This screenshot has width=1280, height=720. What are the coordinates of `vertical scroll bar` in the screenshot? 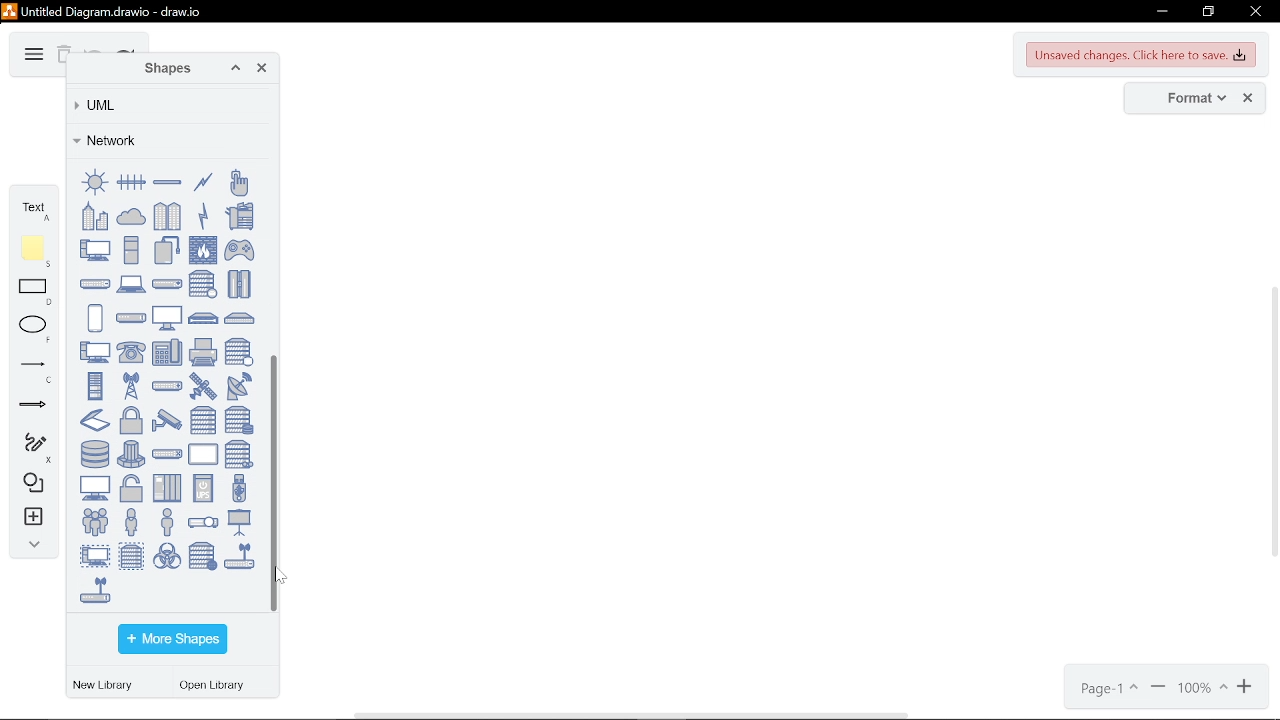 It's located at (1272, 424).